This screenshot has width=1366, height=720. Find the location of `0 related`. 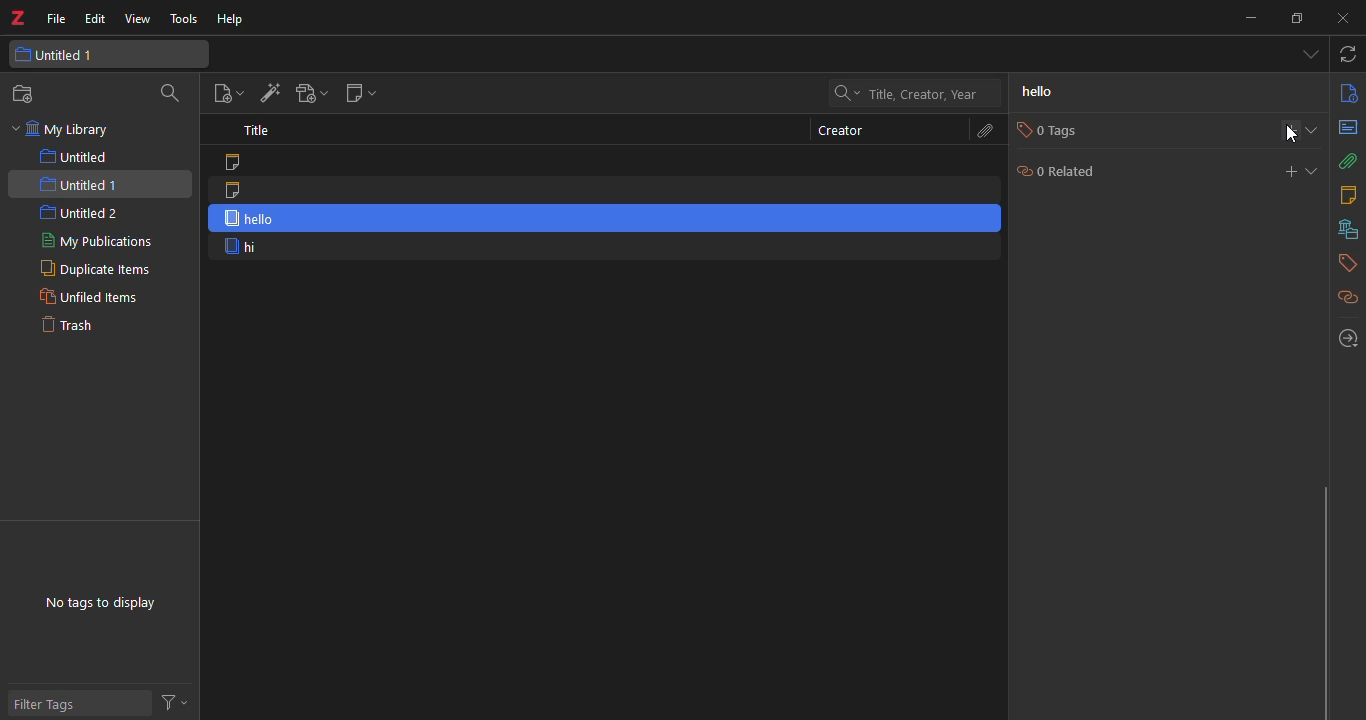

0 related is located at coordinates (1056, 170).